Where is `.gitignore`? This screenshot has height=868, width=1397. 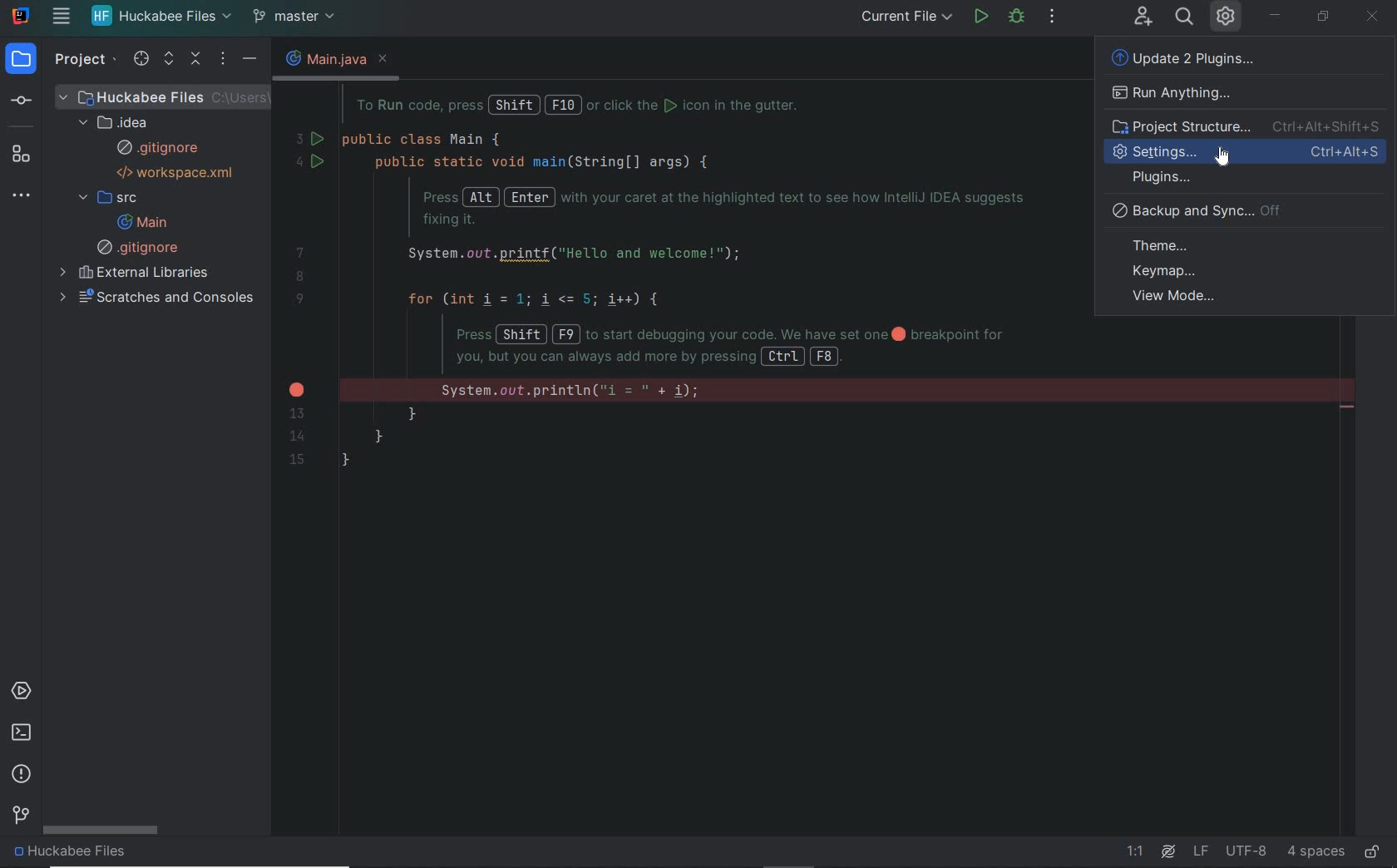
.gitignore is located at coordinates (141, 248).